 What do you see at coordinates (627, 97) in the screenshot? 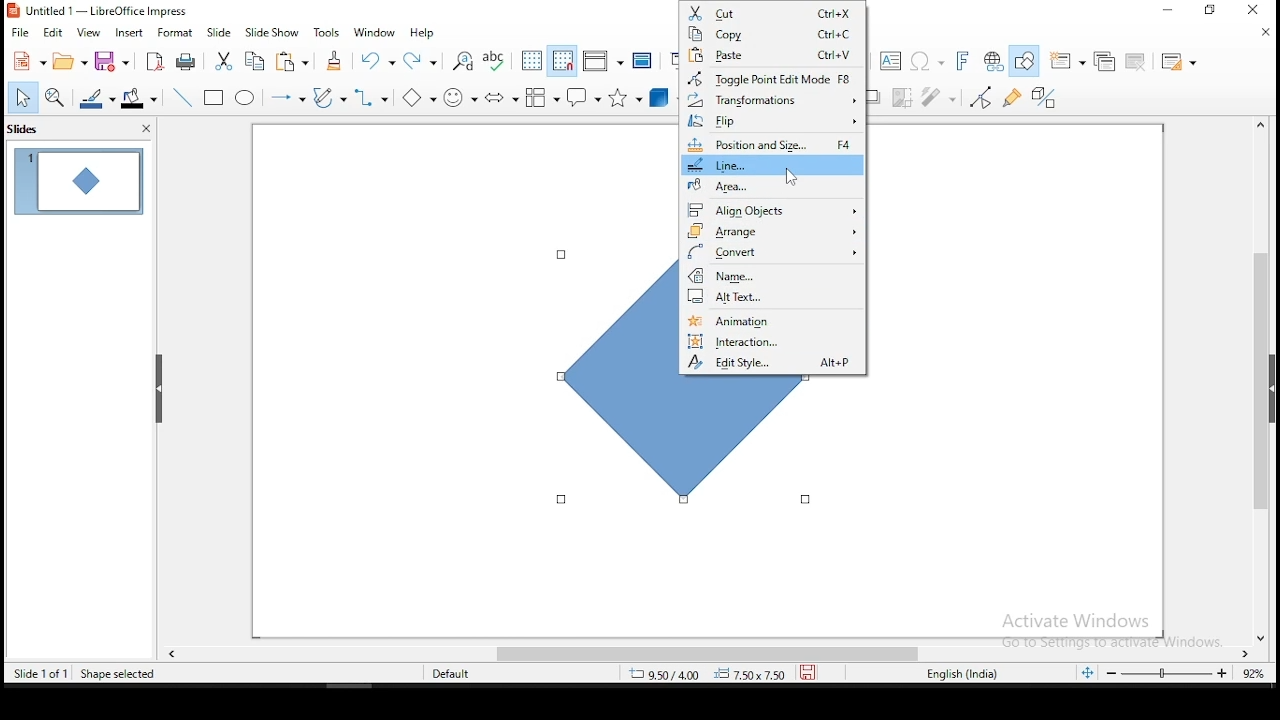
I see `stars and banners` at bounding box center [627, 97].